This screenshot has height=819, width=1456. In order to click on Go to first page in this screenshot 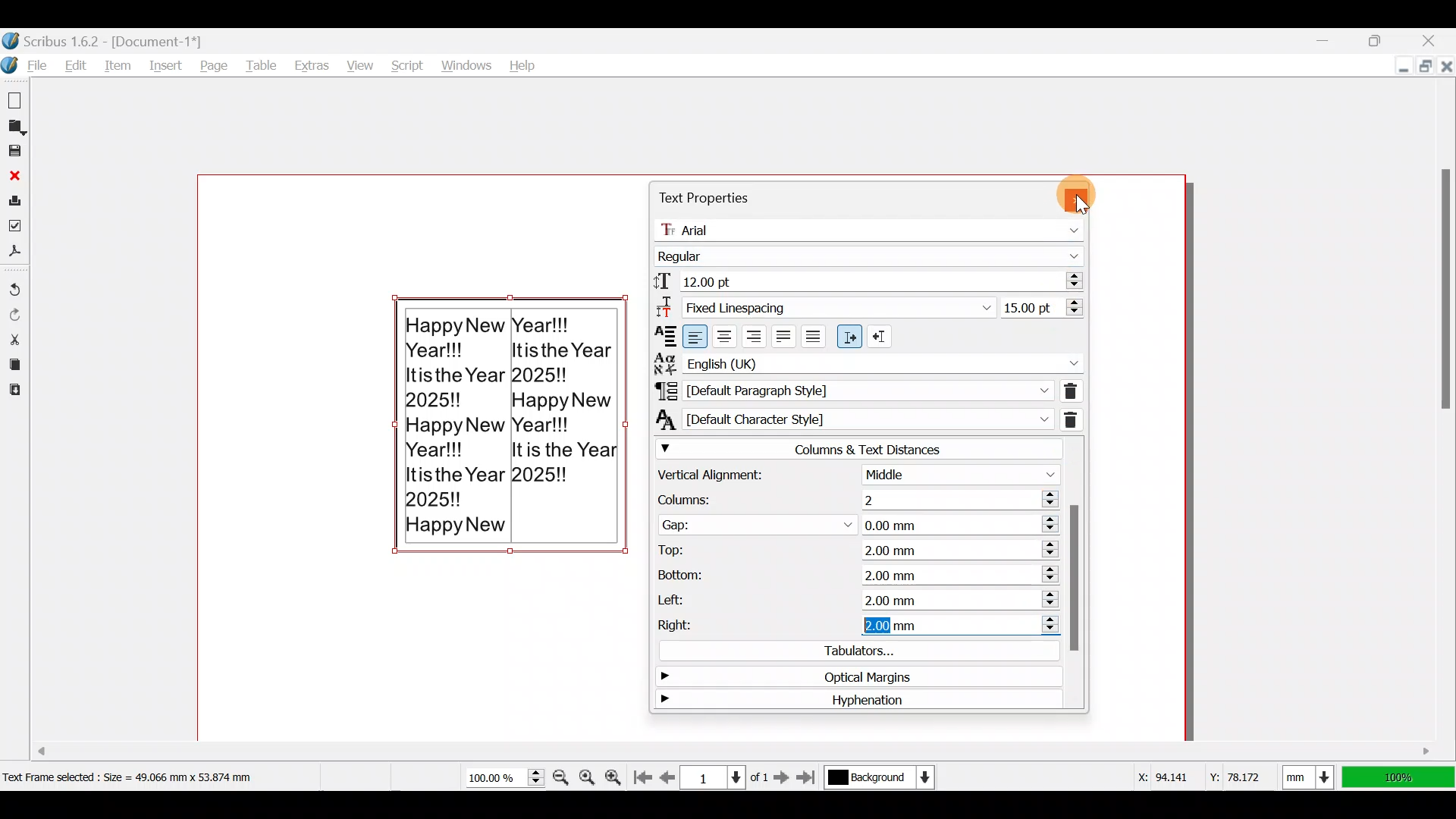, I will do `click(642, 774)`.